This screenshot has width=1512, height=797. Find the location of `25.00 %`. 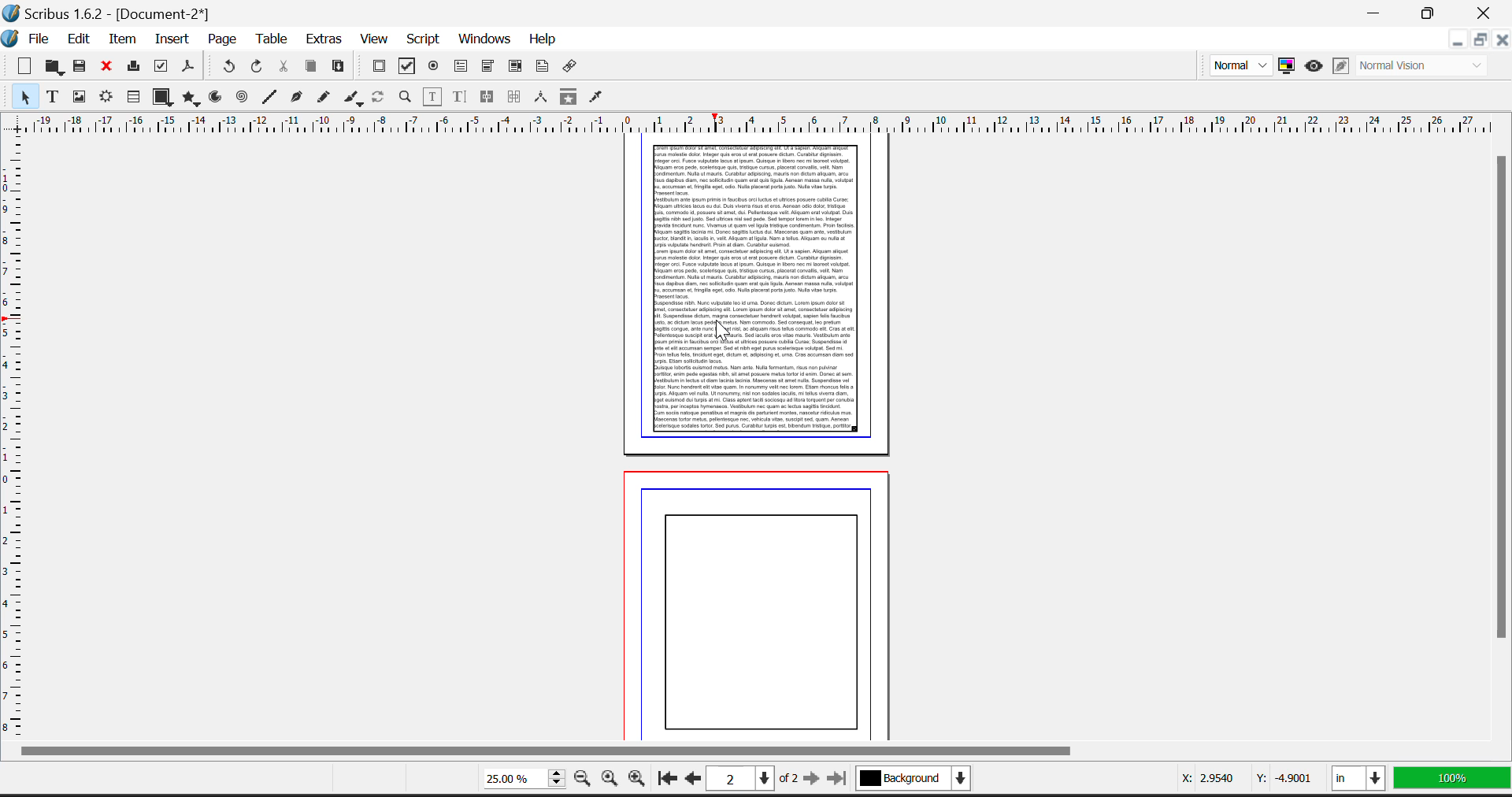

25.00 % is located at coordinates (519, 780).